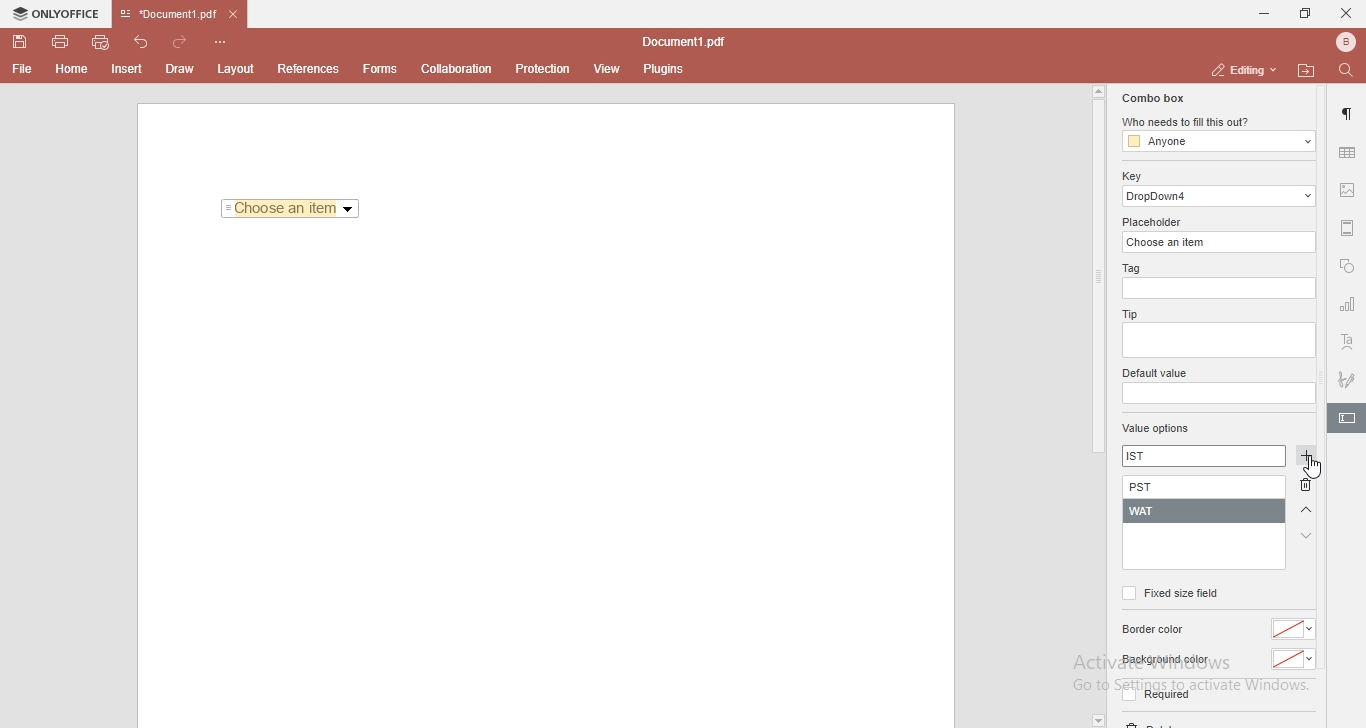 The image size is (1366, 728). Describe the element at coordinates (1307, 536) in the screenshot. I see `arrow down` at that location.